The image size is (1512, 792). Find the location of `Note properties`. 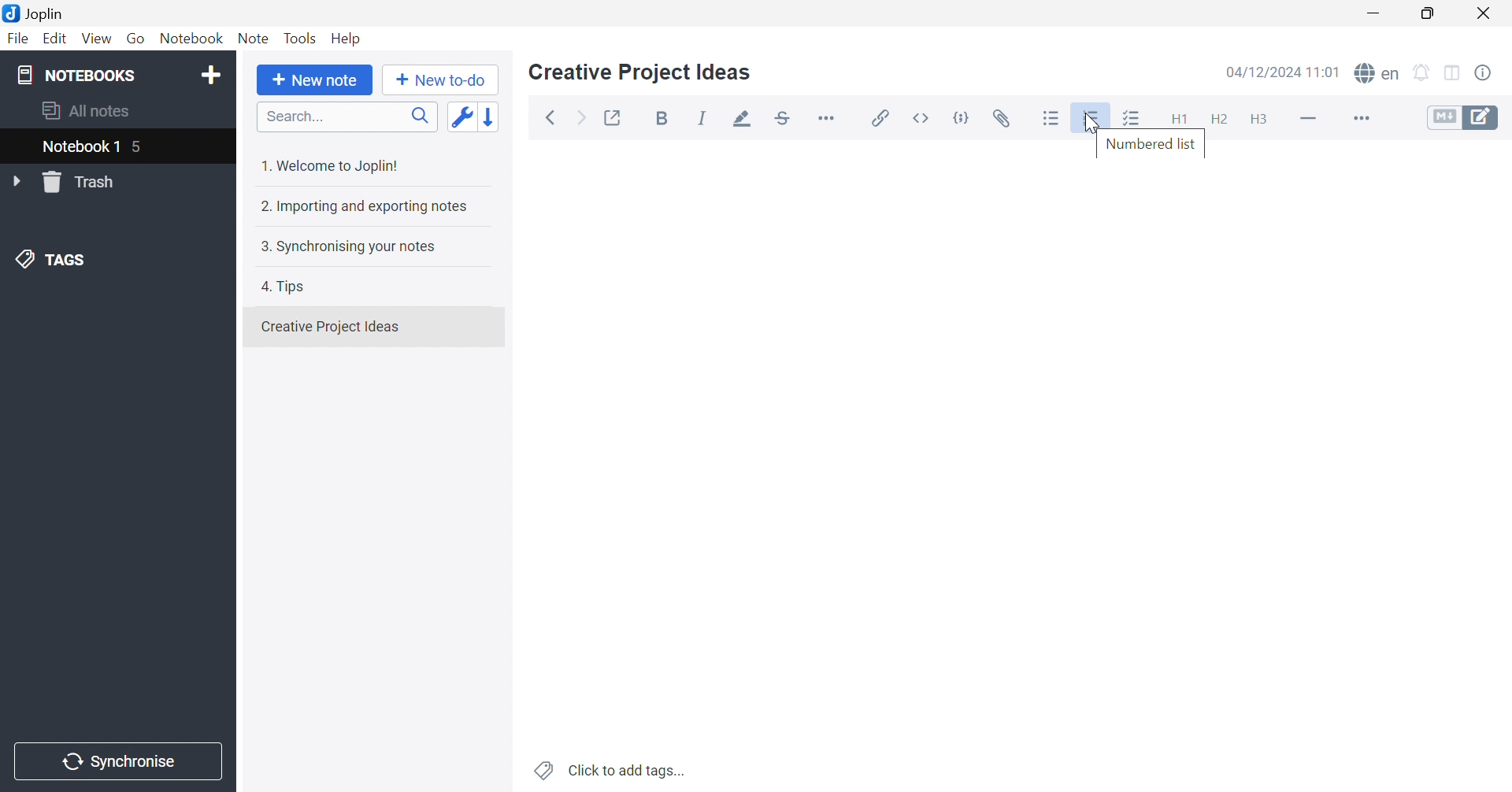

Note properties is located at coordinates (1492, 73).